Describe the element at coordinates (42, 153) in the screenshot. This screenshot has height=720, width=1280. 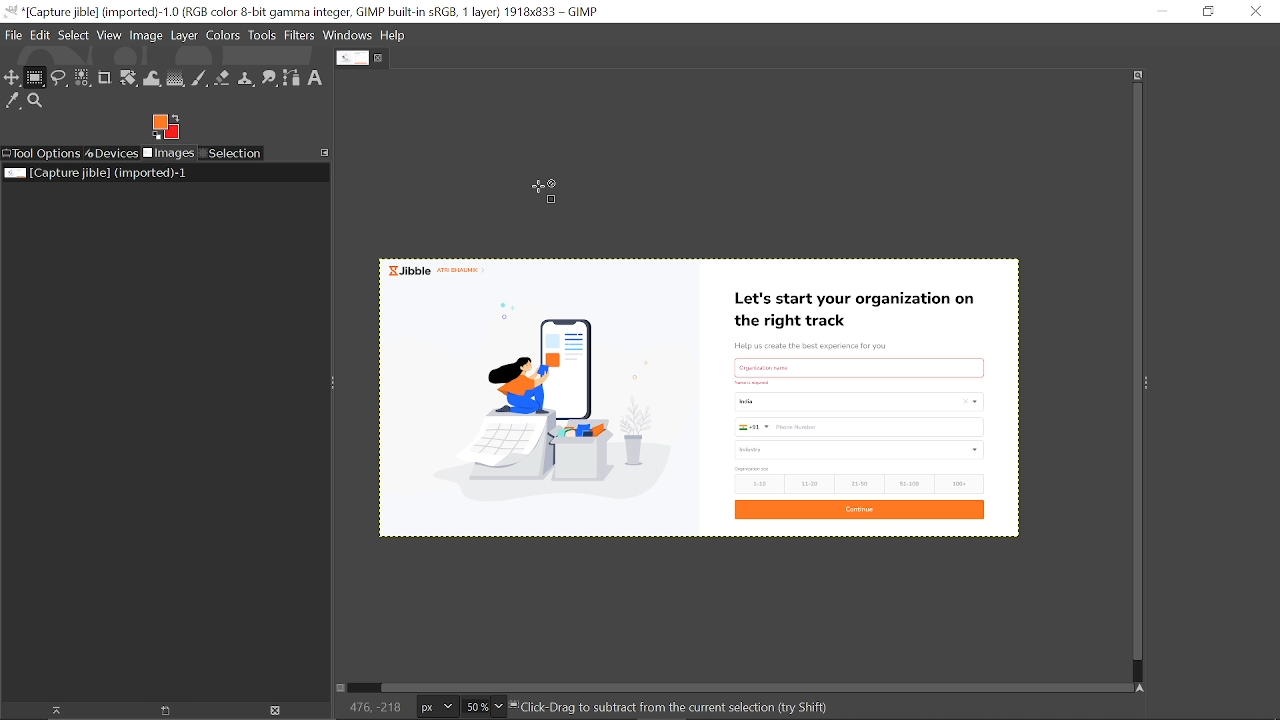
I see `Tool options` at that location.